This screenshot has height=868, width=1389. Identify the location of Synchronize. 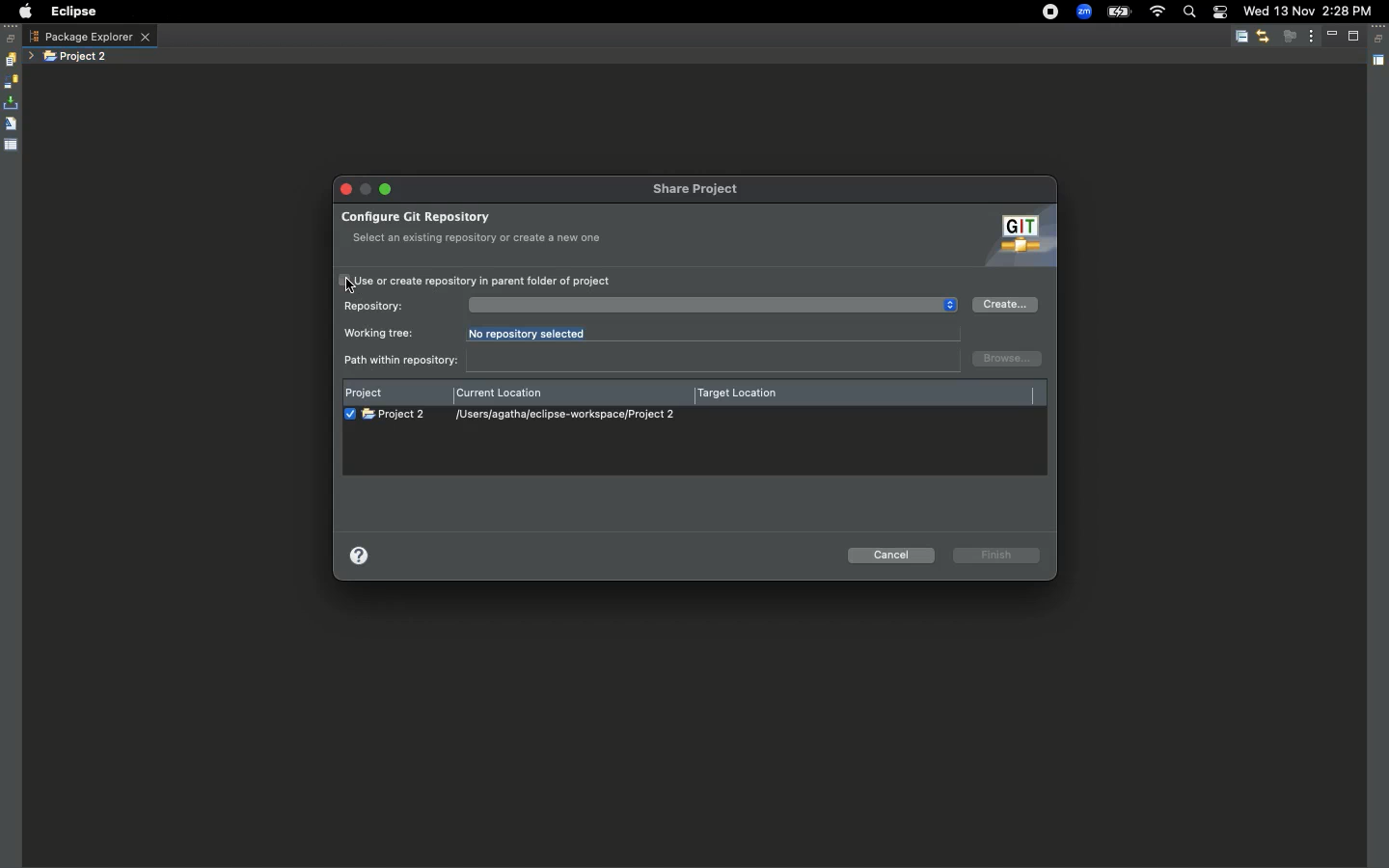
(11, 82).